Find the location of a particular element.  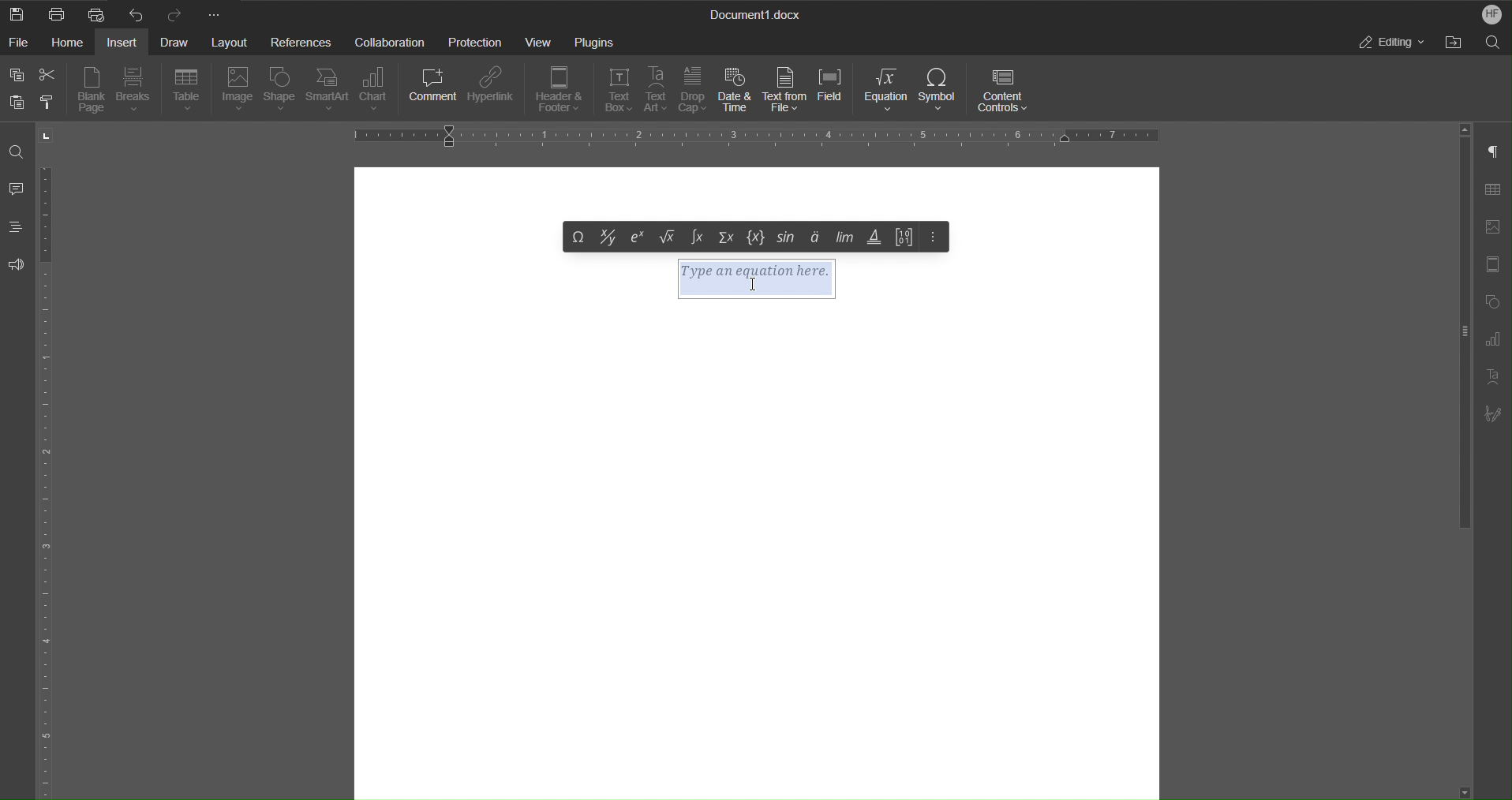

Content Controls is located at coordinates (1002, 91).